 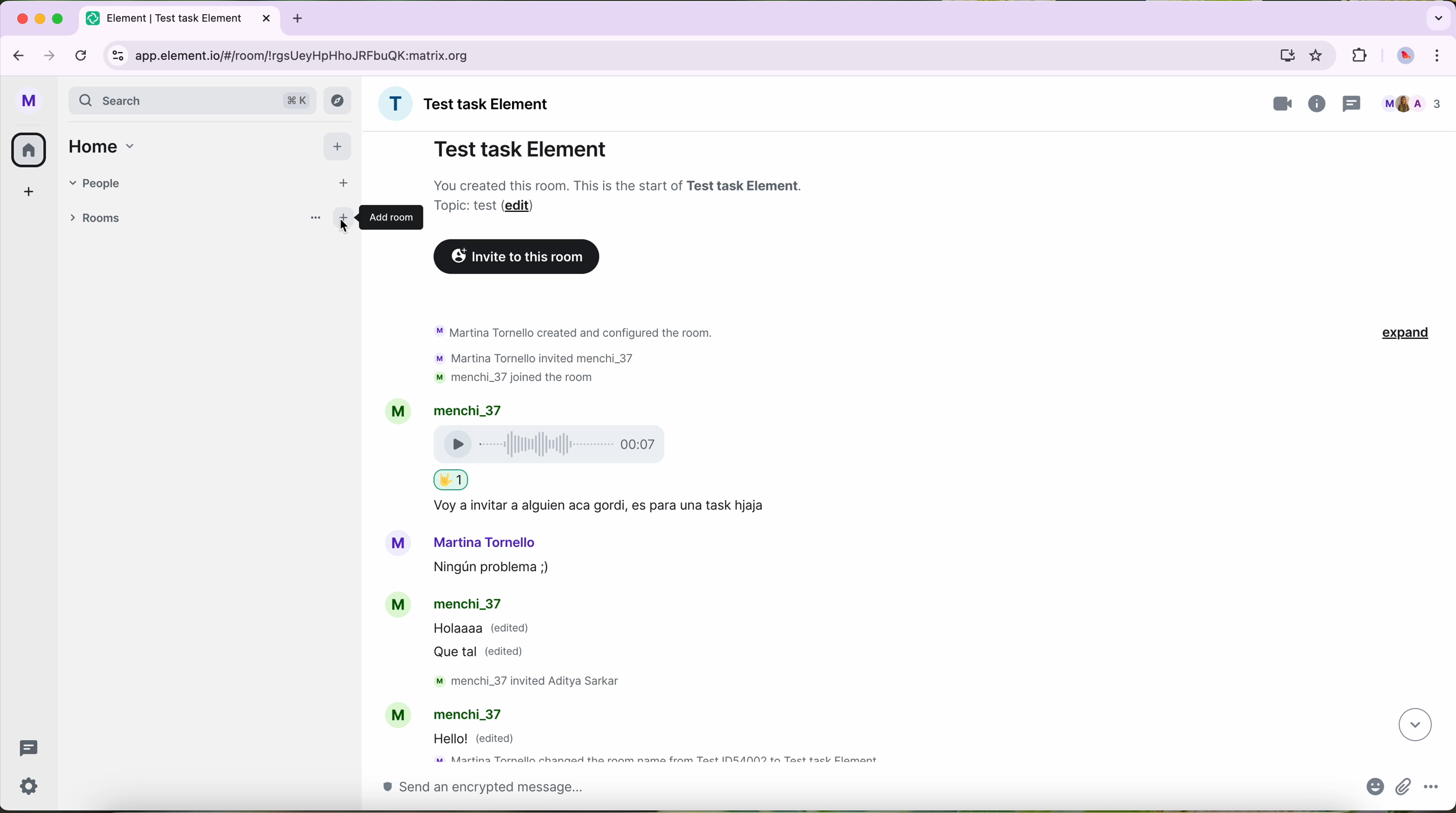 I want to click on people tab, so click(x=211, y=182).